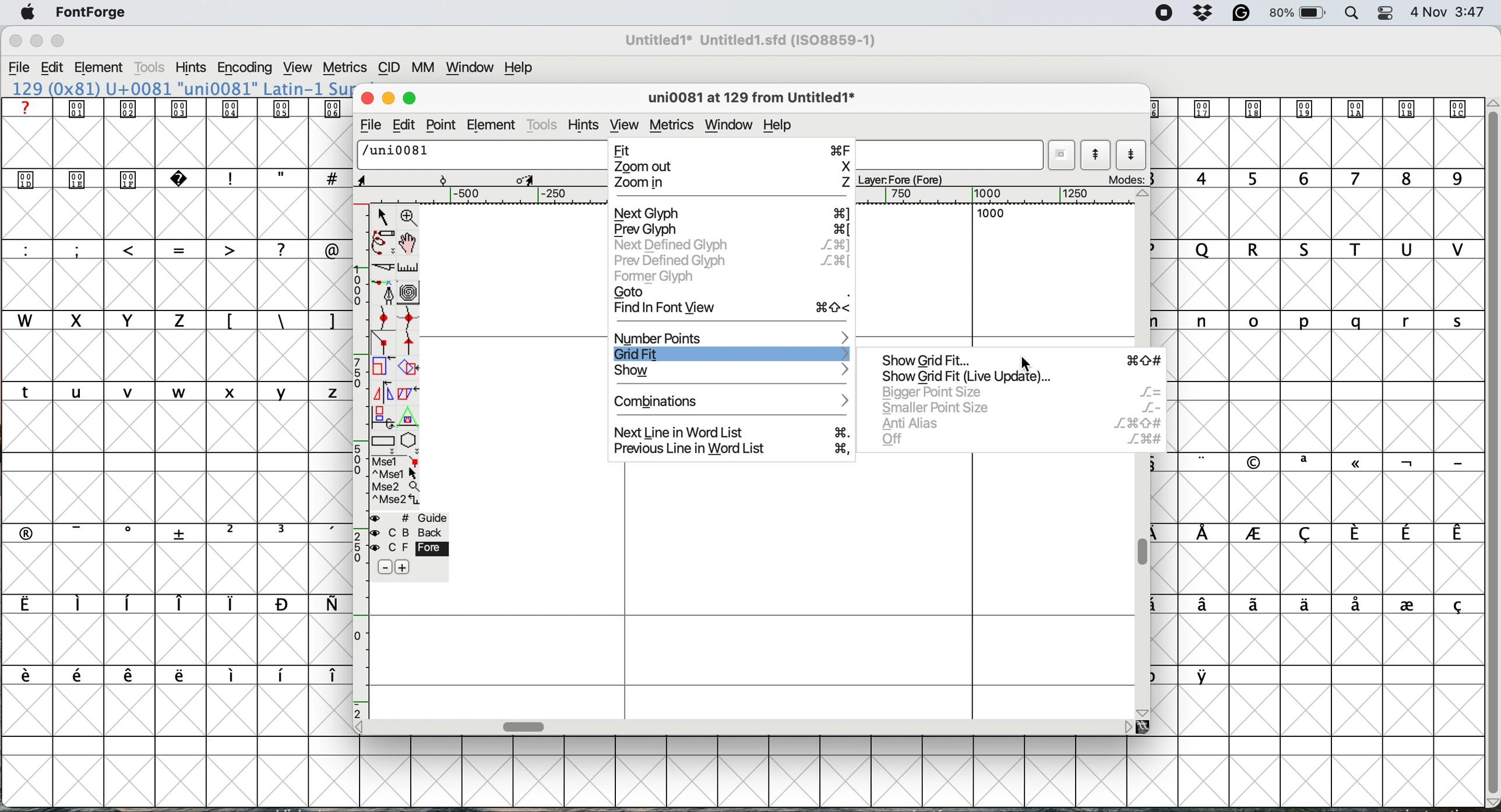 The height and width of the screenshot is (812, 1501). Describe the element at coordinates (19, 68) in the screenshot. I see `File` at that location.